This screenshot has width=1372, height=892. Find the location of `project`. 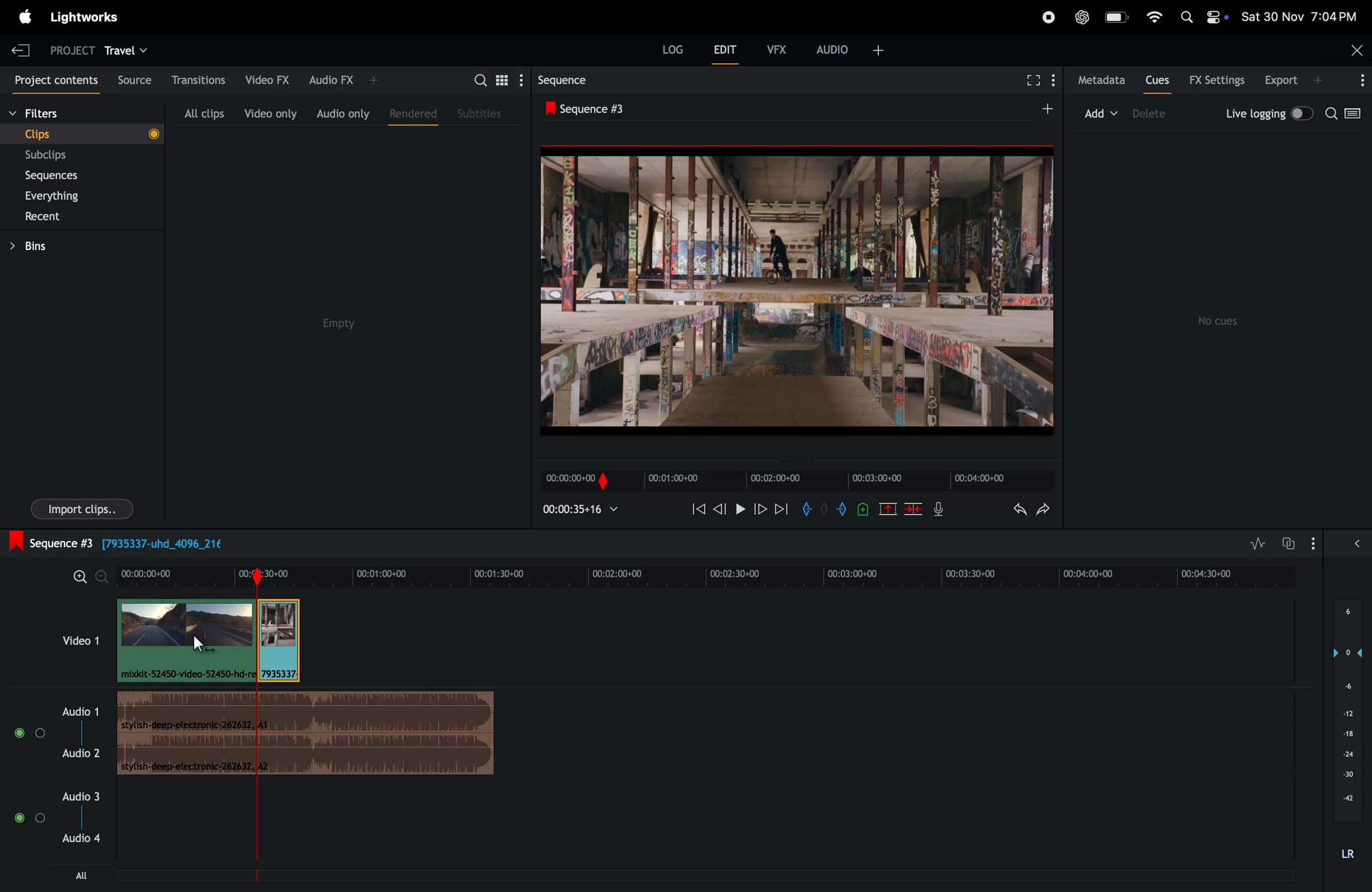

project is located at coordinates (67, 49).